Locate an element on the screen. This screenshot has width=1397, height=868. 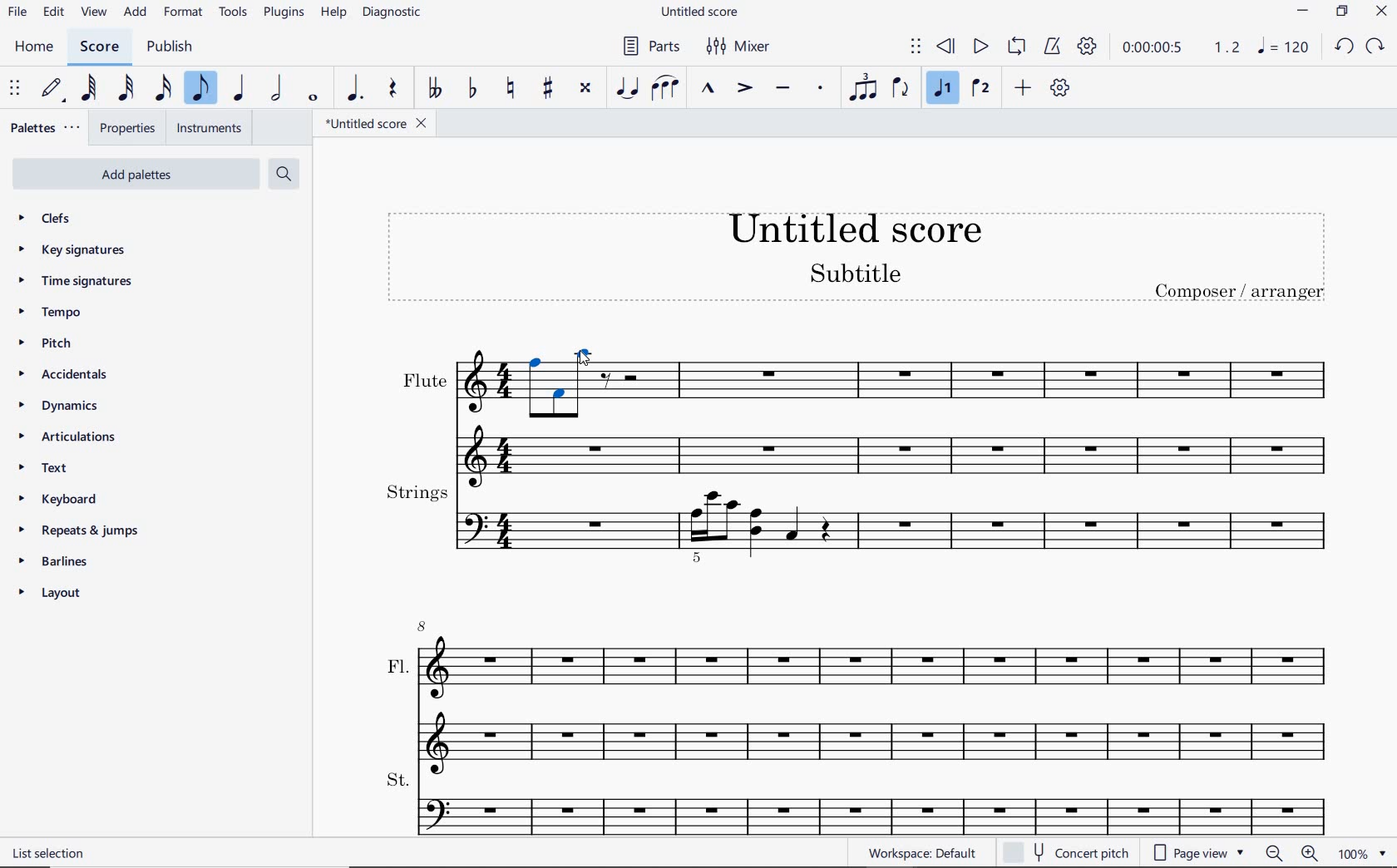
home is located at coordinates (37, 48).